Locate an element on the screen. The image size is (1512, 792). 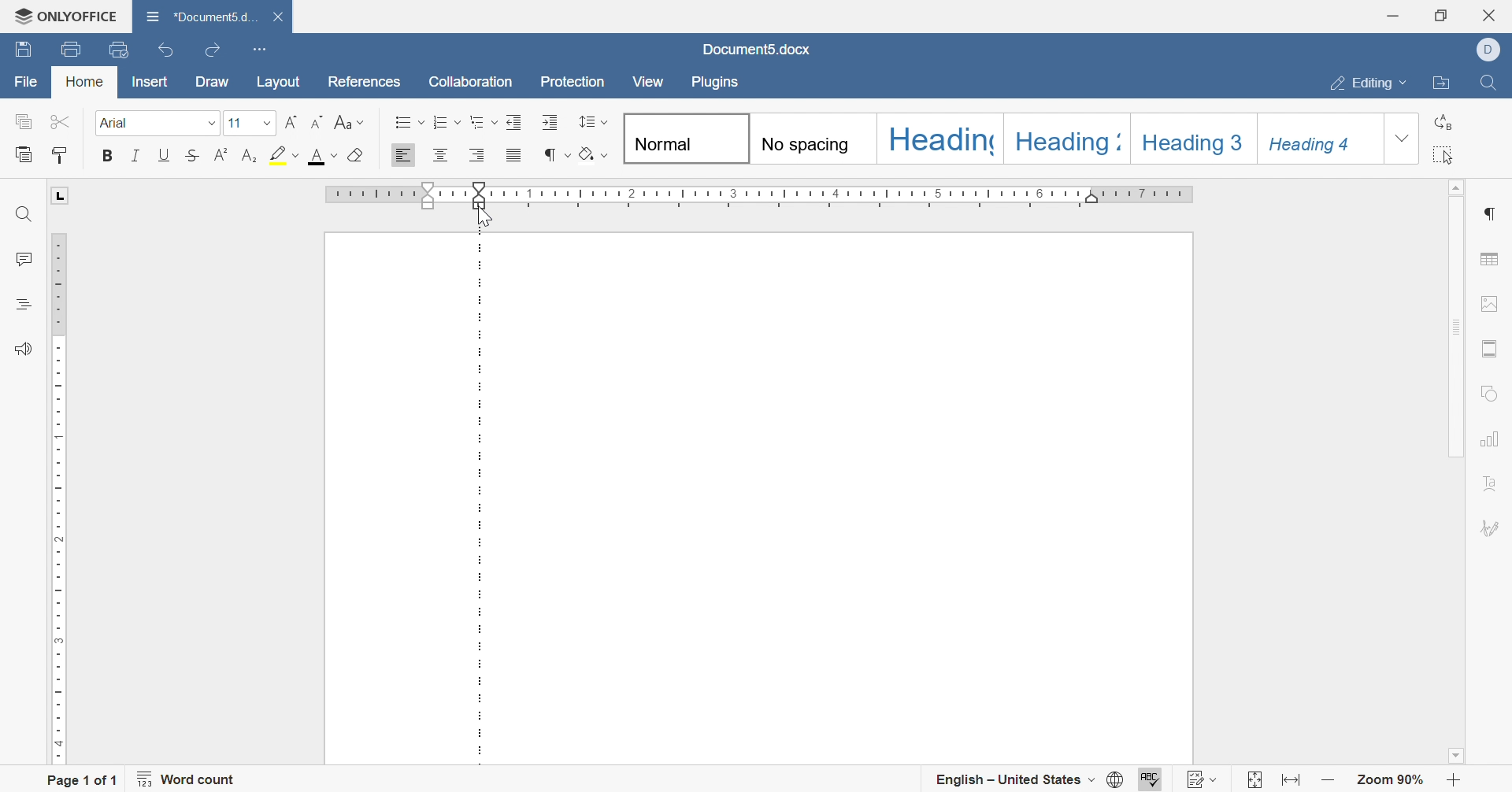
scroll bar is located at coordinates (1459, 325).